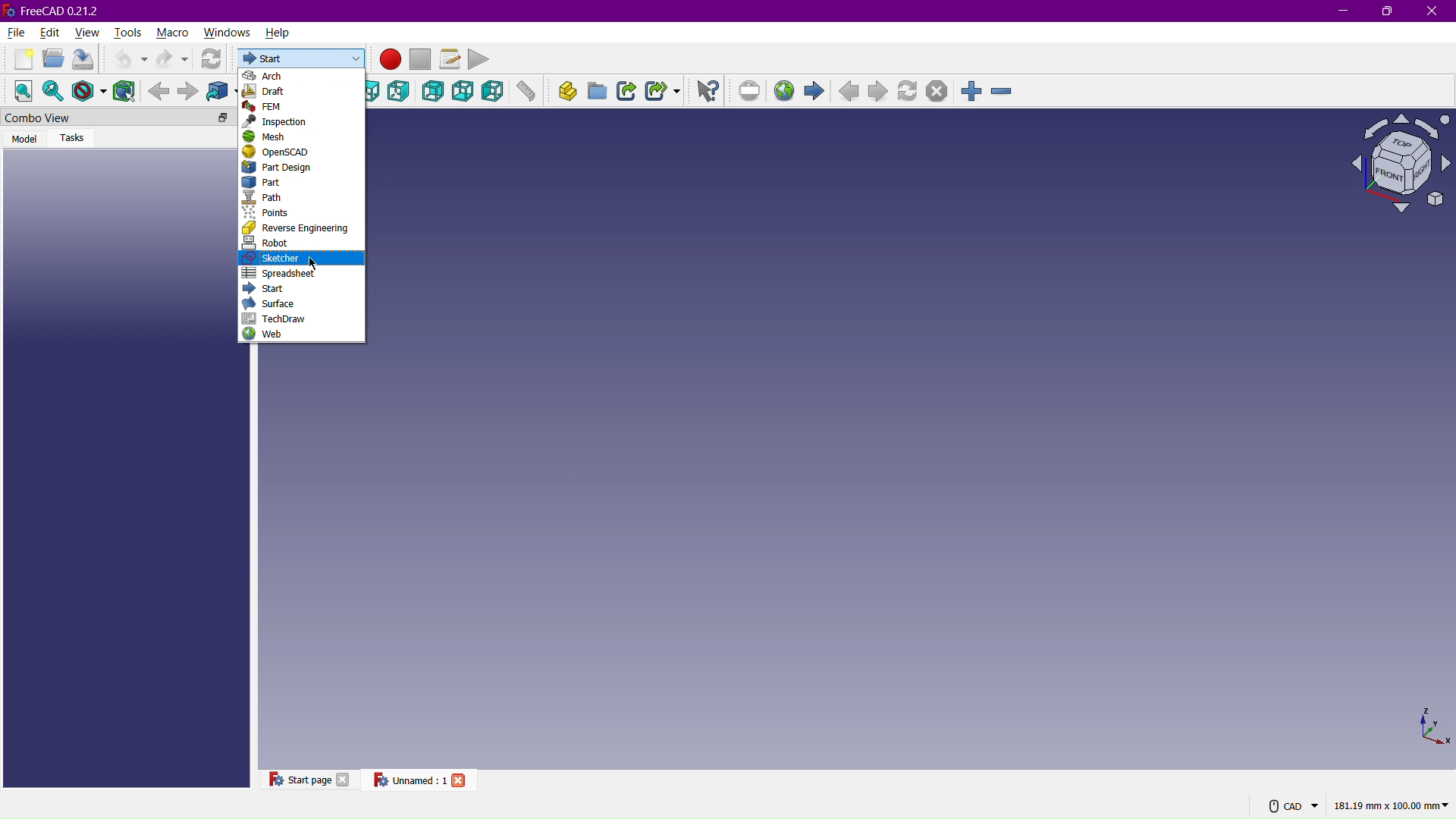 Image resolution: width=1456 pixels, height=819 pixels. What do you see at coordinates (344, 780) in the screenshot?
I see `close` at bounding box center [344, 780].